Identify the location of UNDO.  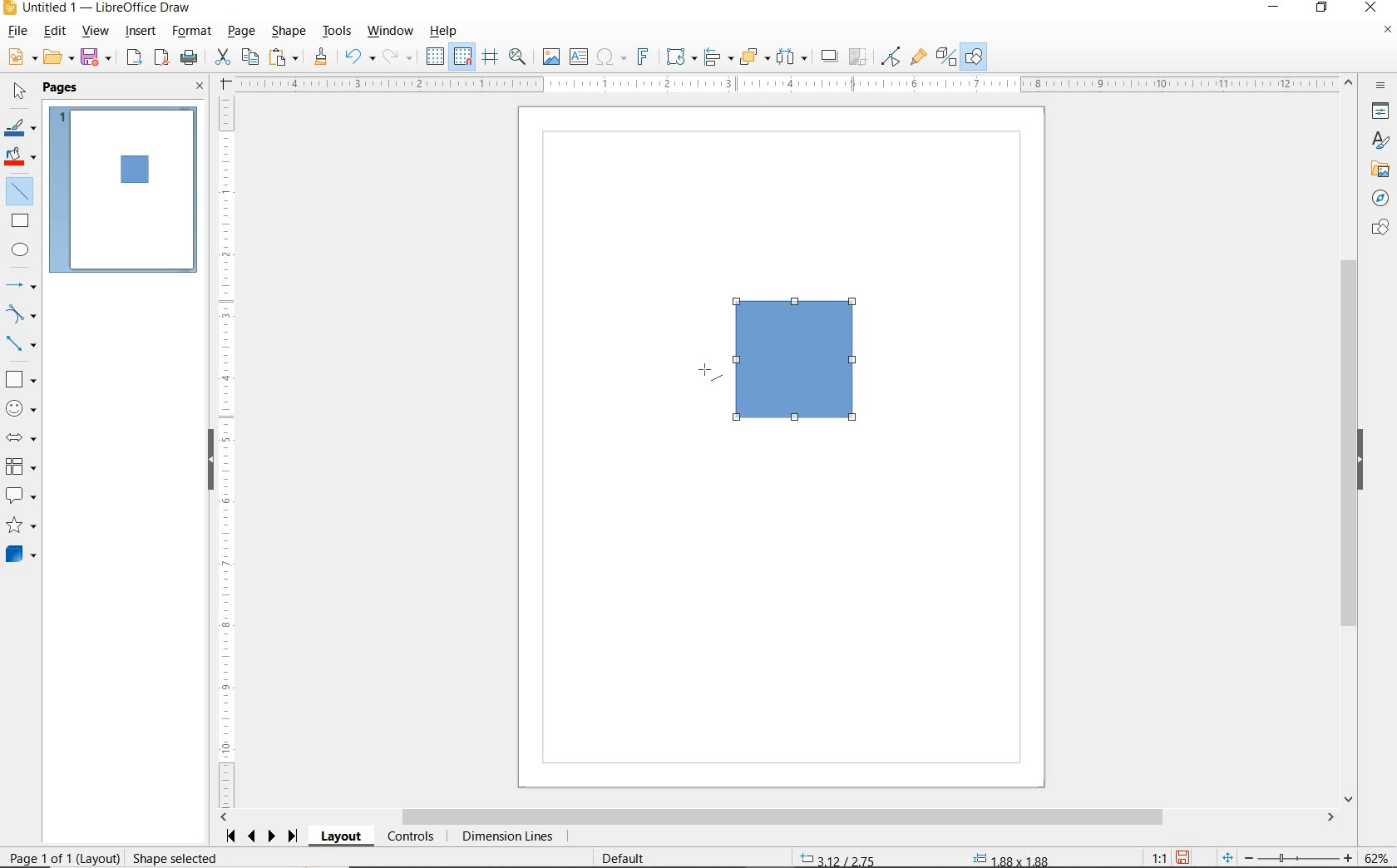
(360, 58).